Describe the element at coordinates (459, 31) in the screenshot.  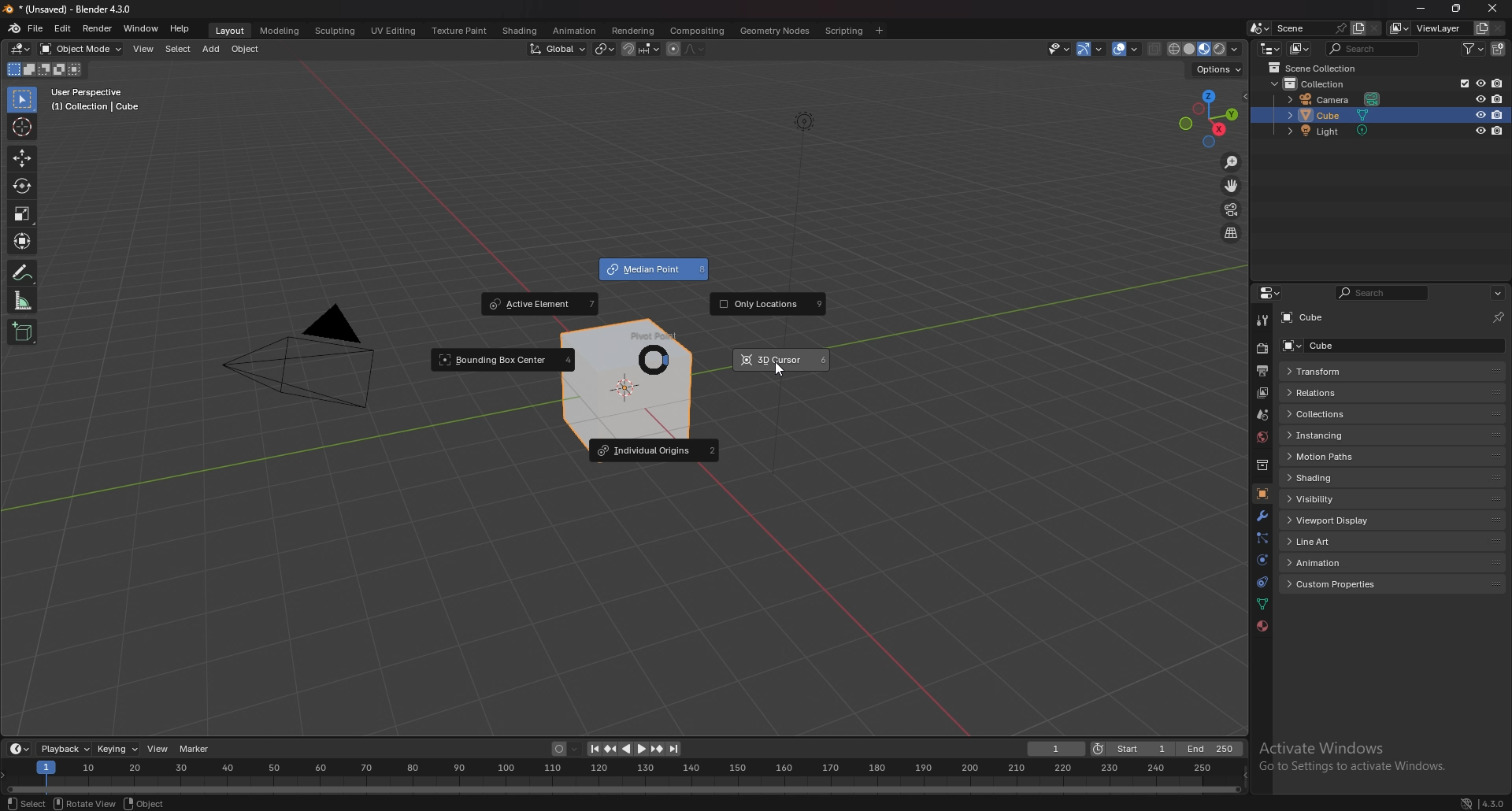
I see `texture paint` at that location.